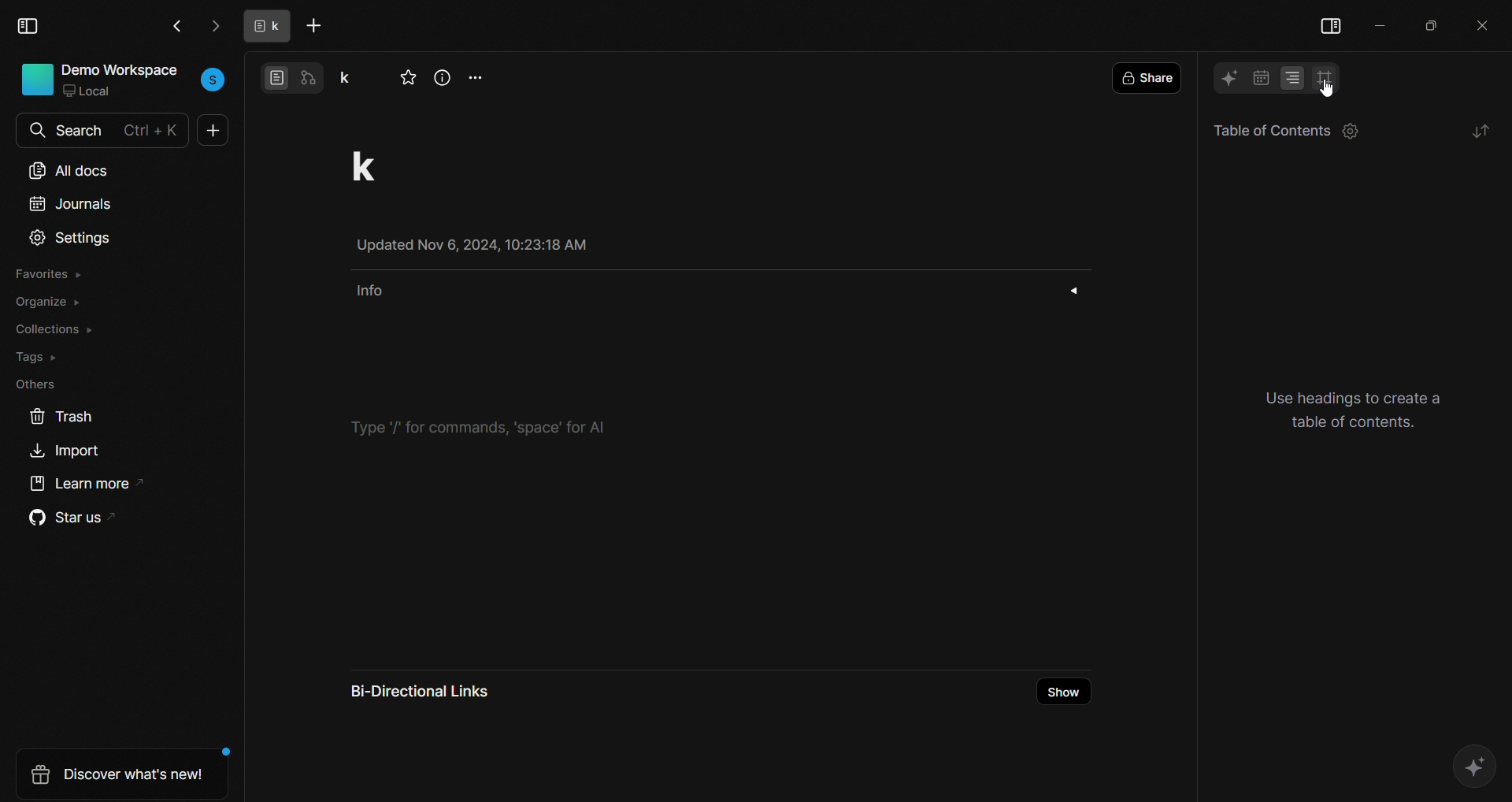  I want to click on others, so click(32, 384).